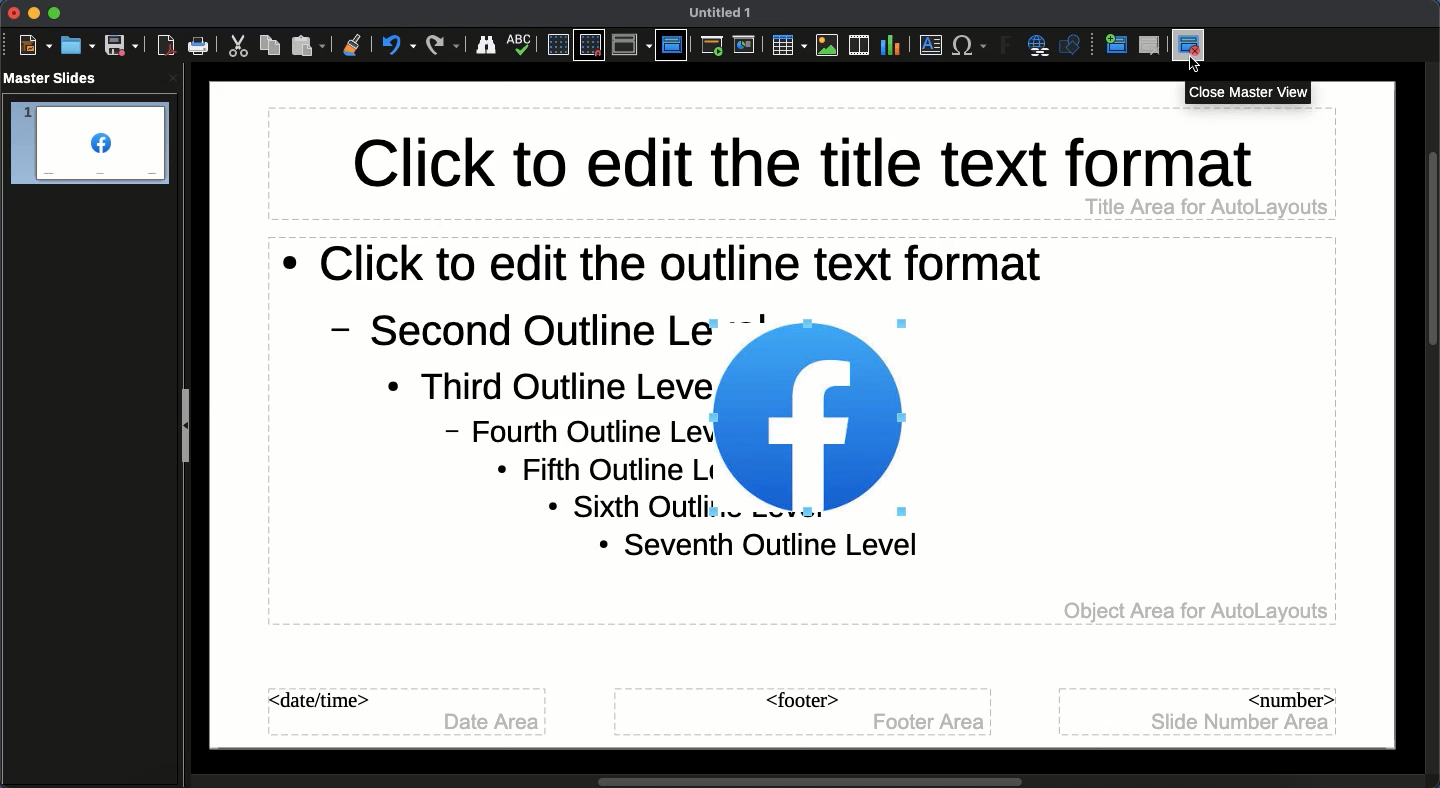 Image resolution: width=1440 pixels, height=788 pixels. Describe the element at coordinates (199, 46) in the screenshot. I see `Print` at that location.